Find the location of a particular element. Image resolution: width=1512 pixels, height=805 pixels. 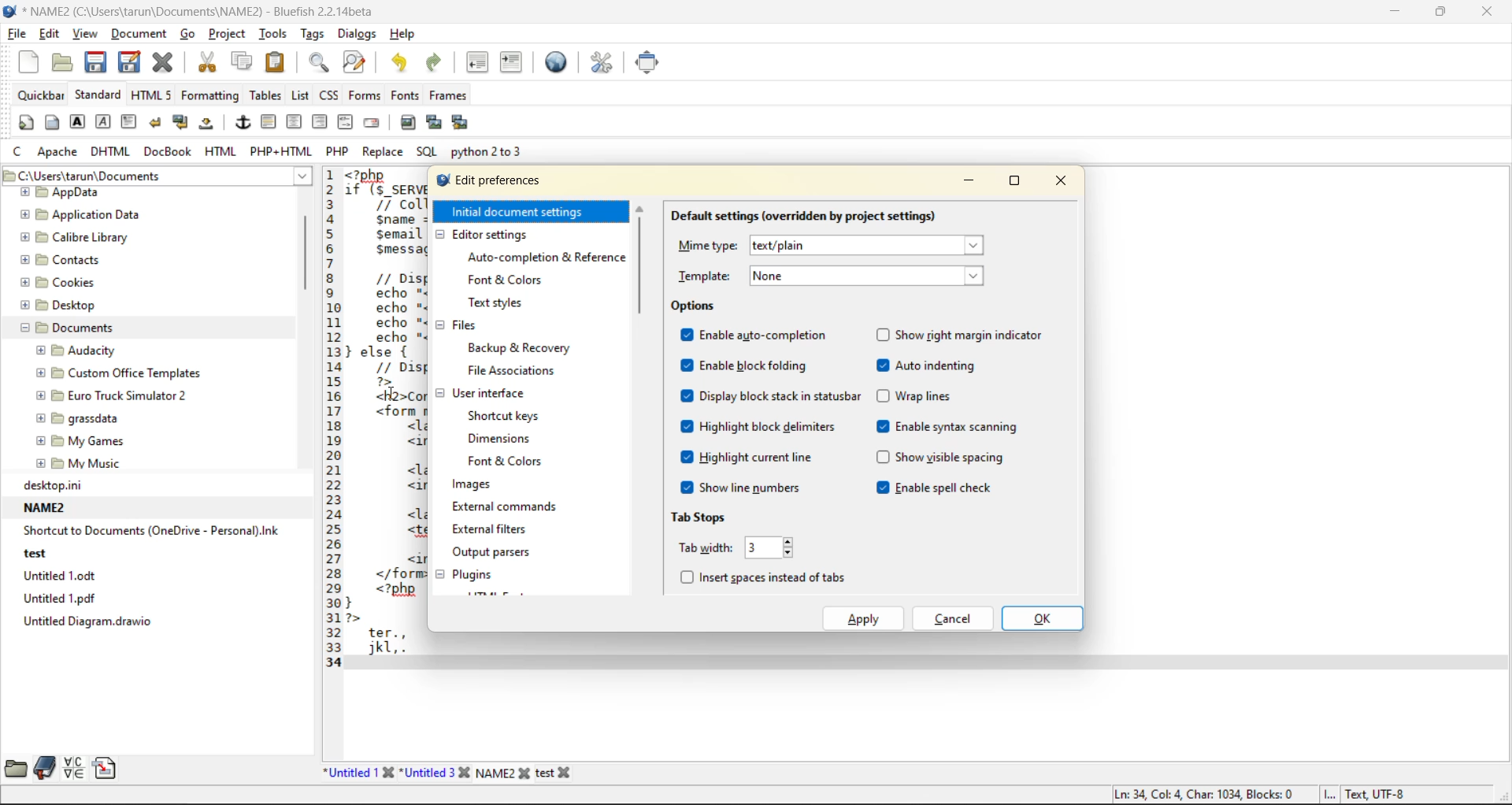

My Music is located at coordinates (81, 463).